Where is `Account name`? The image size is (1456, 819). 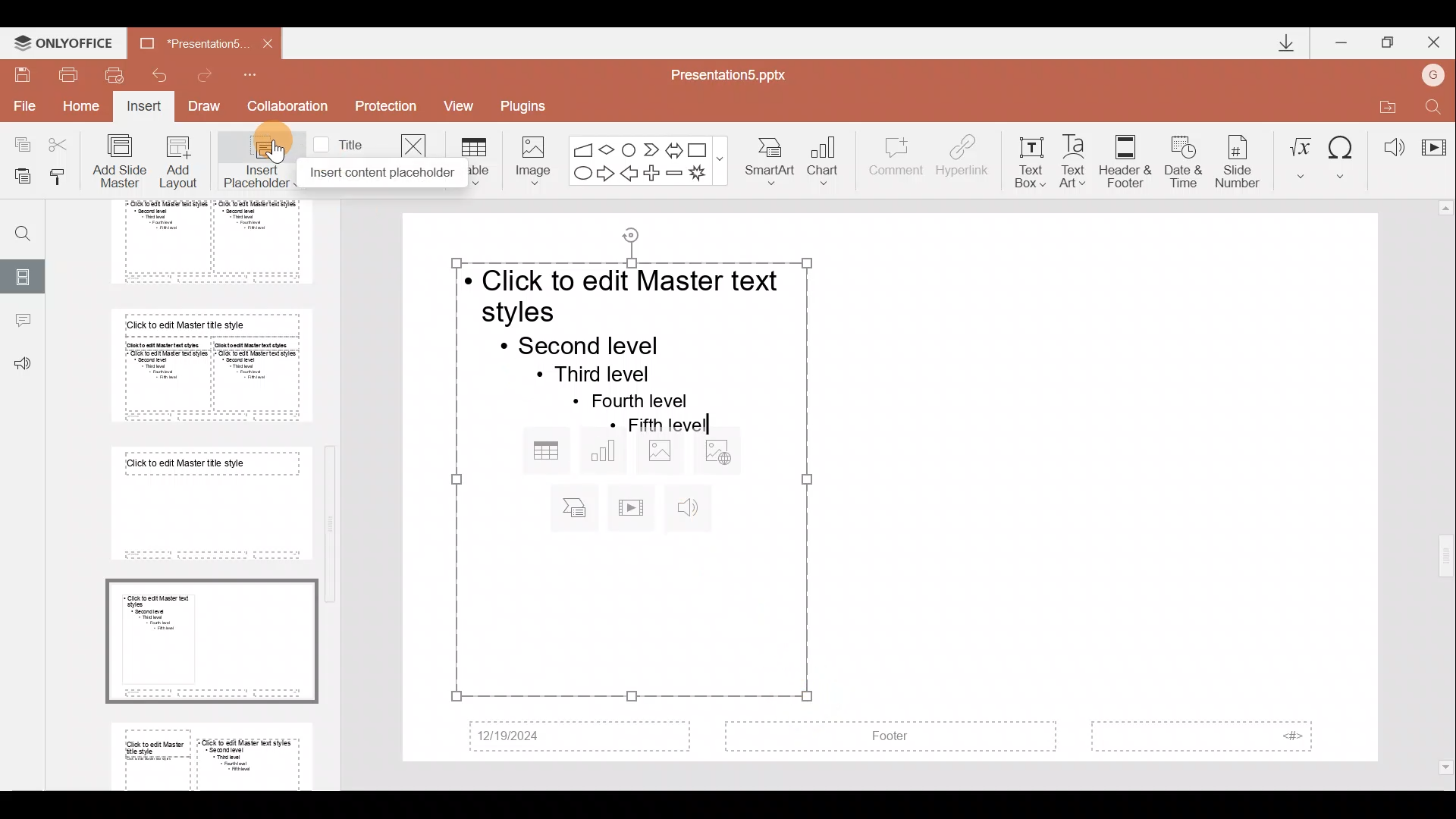
Account name is located at coordinates (1436, 73).